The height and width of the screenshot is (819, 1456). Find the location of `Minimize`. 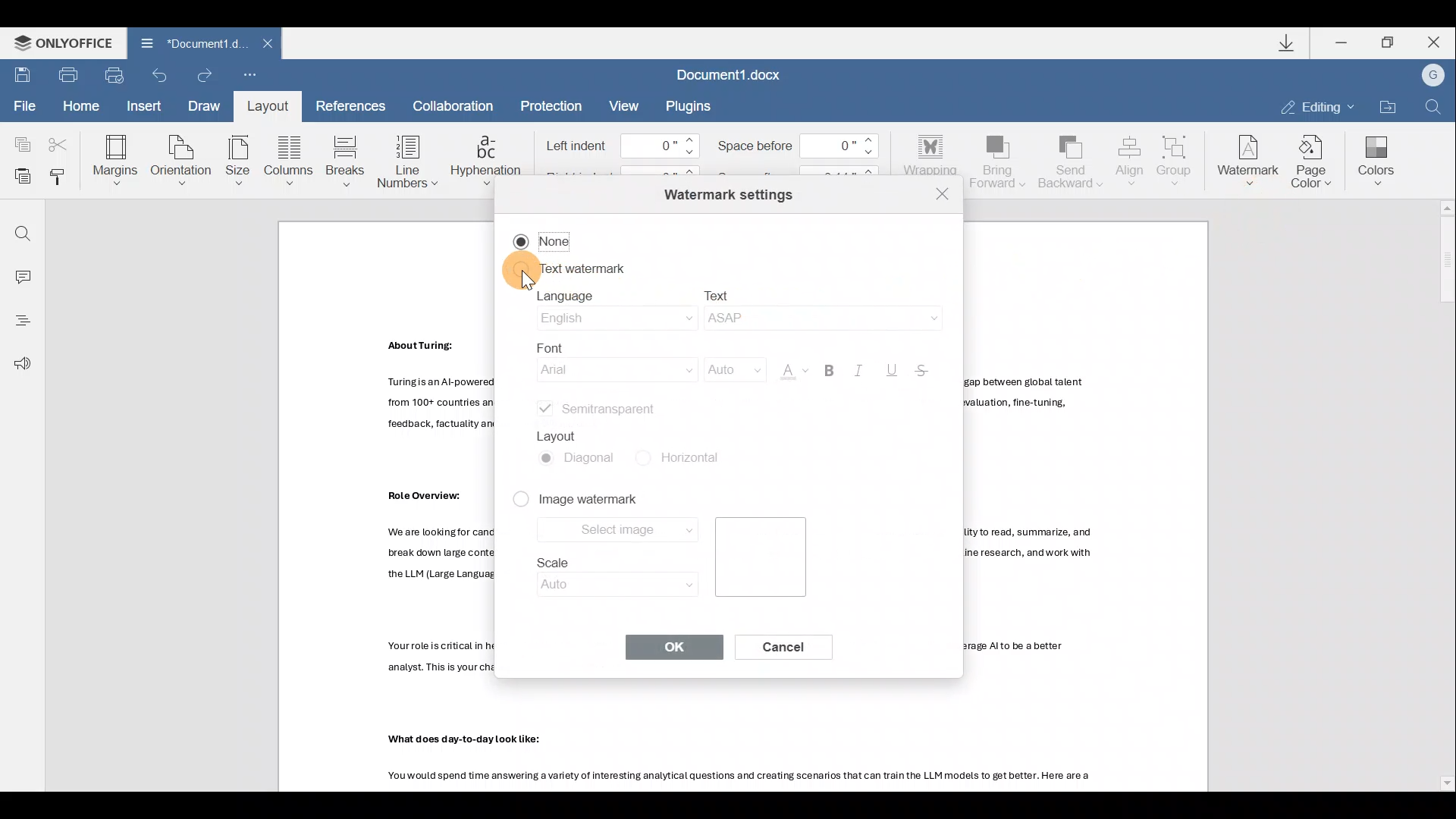

Minimize is located at coordinates (1342, 42).